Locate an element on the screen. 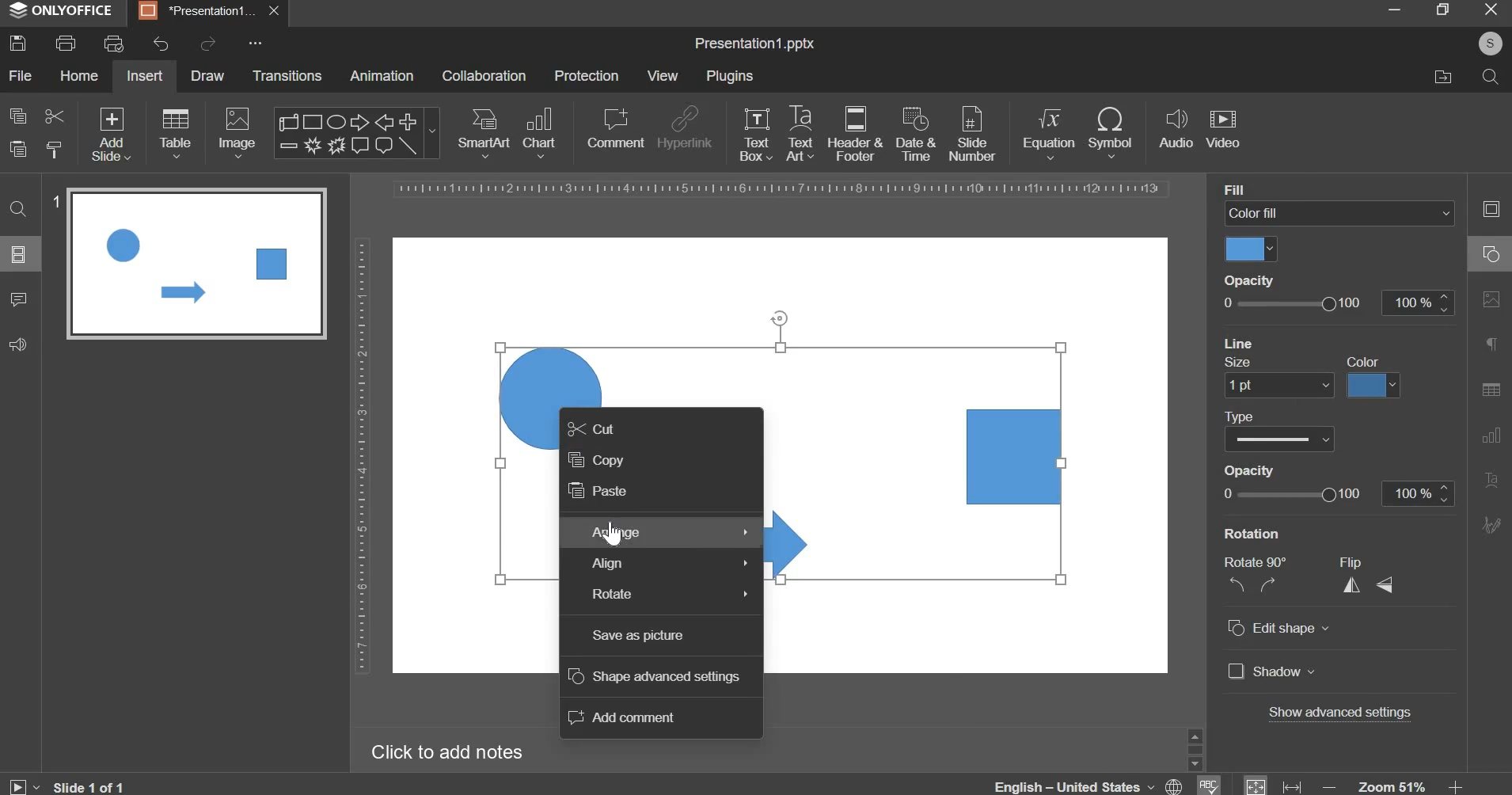 This screenshot has height=795, width=1512. Rotation is located at coordinates (1262, 533).